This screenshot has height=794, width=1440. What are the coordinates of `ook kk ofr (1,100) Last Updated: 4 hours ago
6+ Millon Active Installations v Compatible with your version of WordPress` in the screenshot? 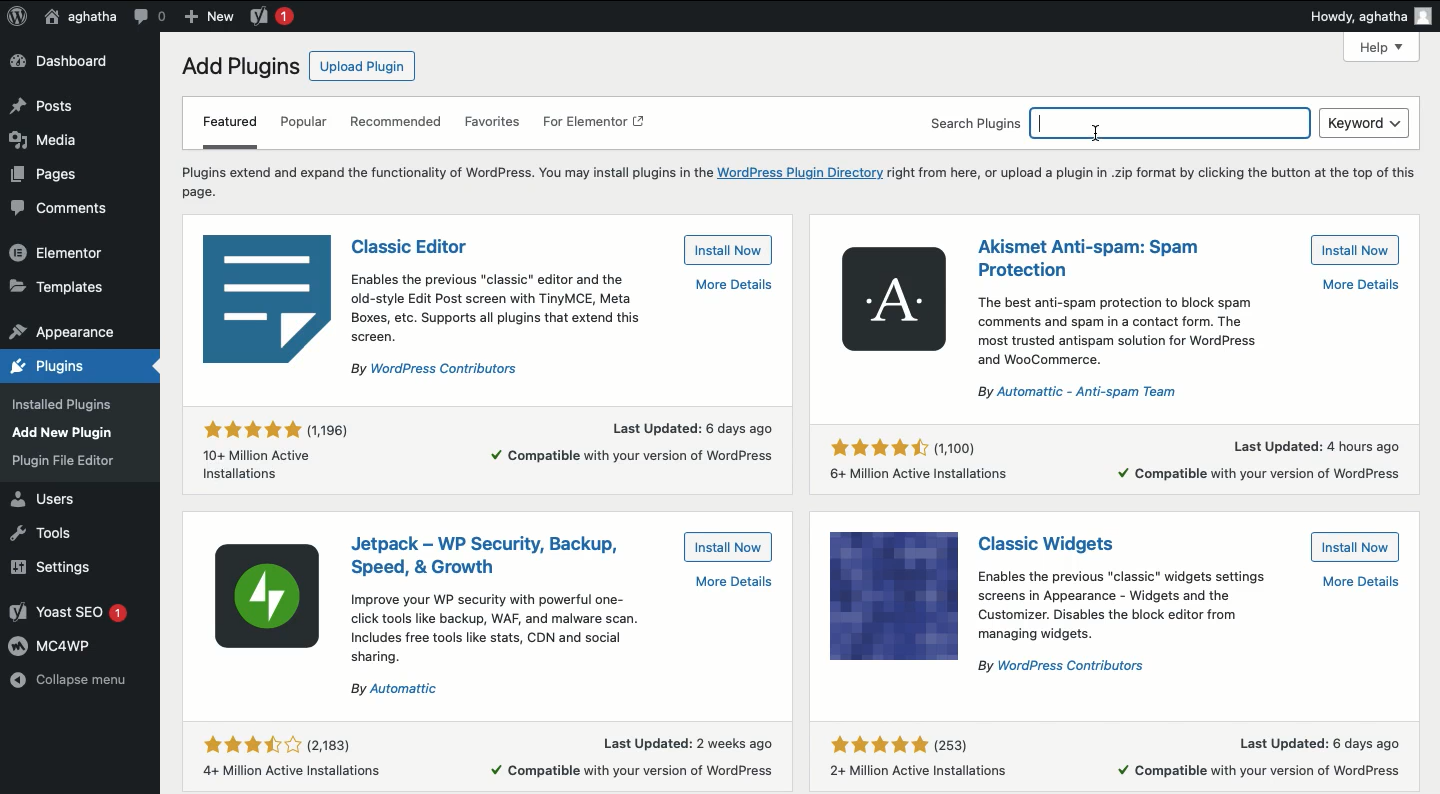 It's located at (1122, 459).